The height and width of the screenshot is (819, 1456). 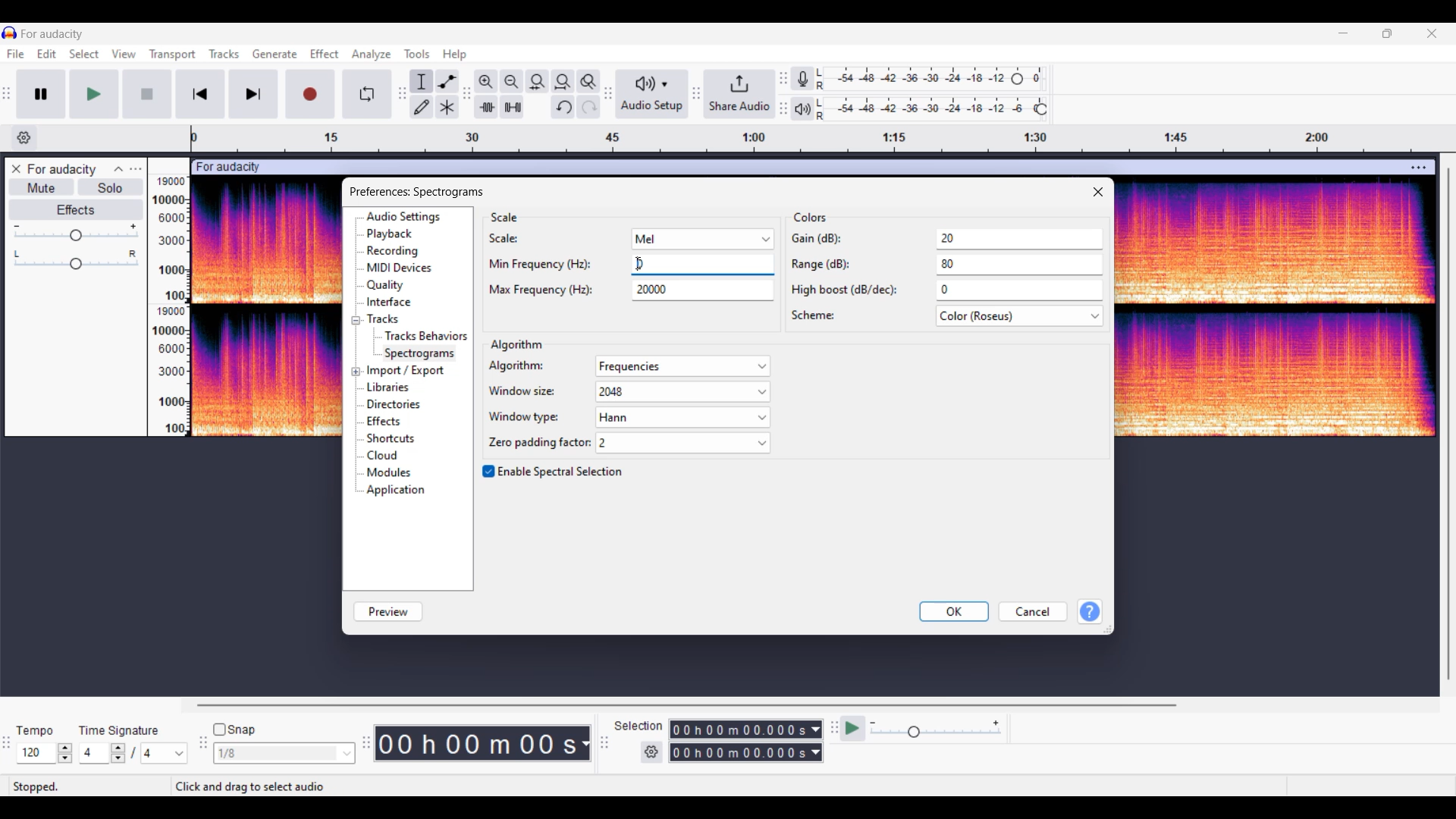 I want to click on Edit menu, so click(x=46, y=54).